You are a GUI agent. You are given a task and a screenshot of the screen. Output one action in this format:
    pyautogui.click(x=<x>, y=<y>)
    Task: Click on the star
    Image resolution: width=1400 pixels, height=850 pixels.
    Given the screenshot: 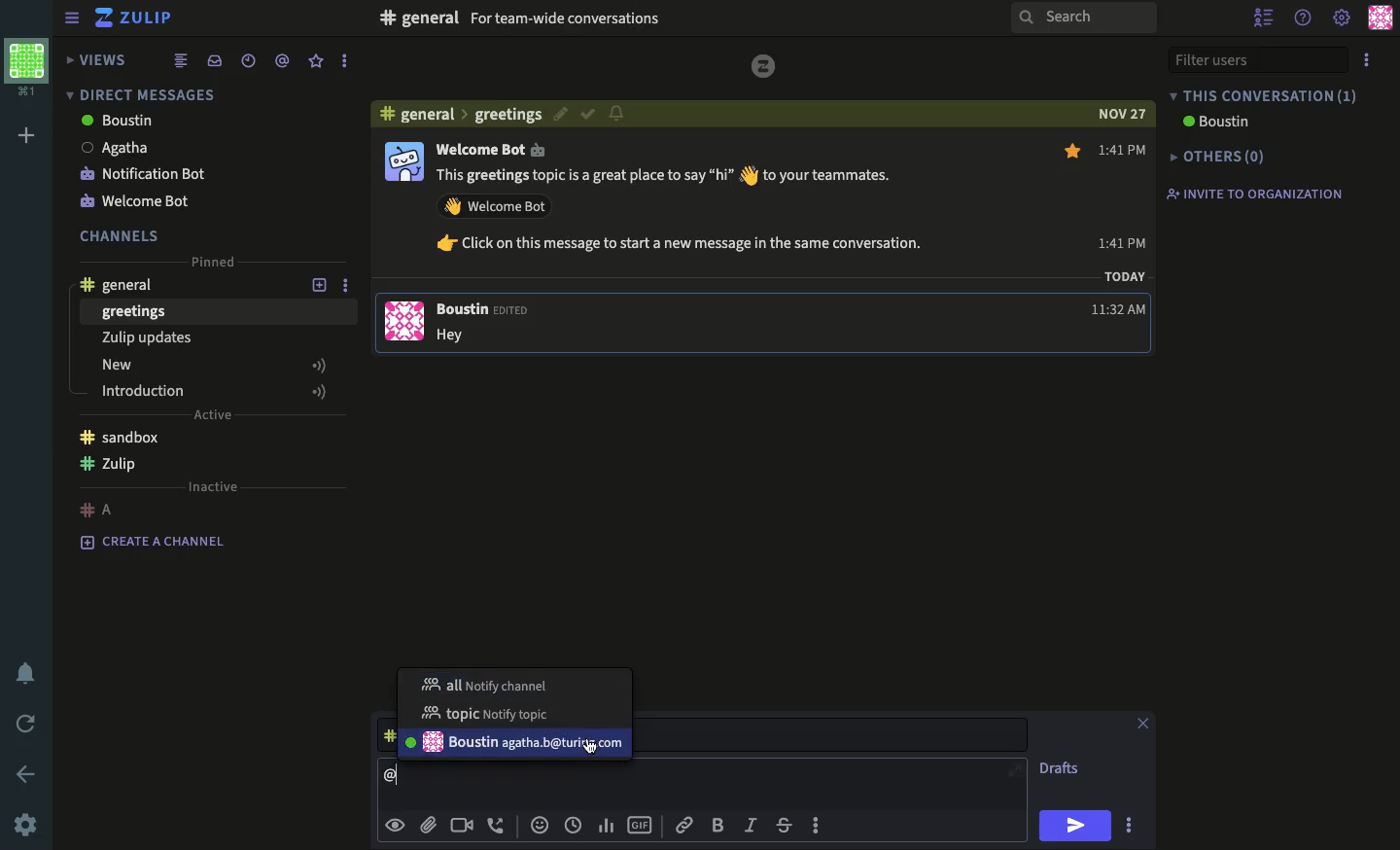 What is the action you would take?
    pyautogui.click(x=1071, y=150)
    